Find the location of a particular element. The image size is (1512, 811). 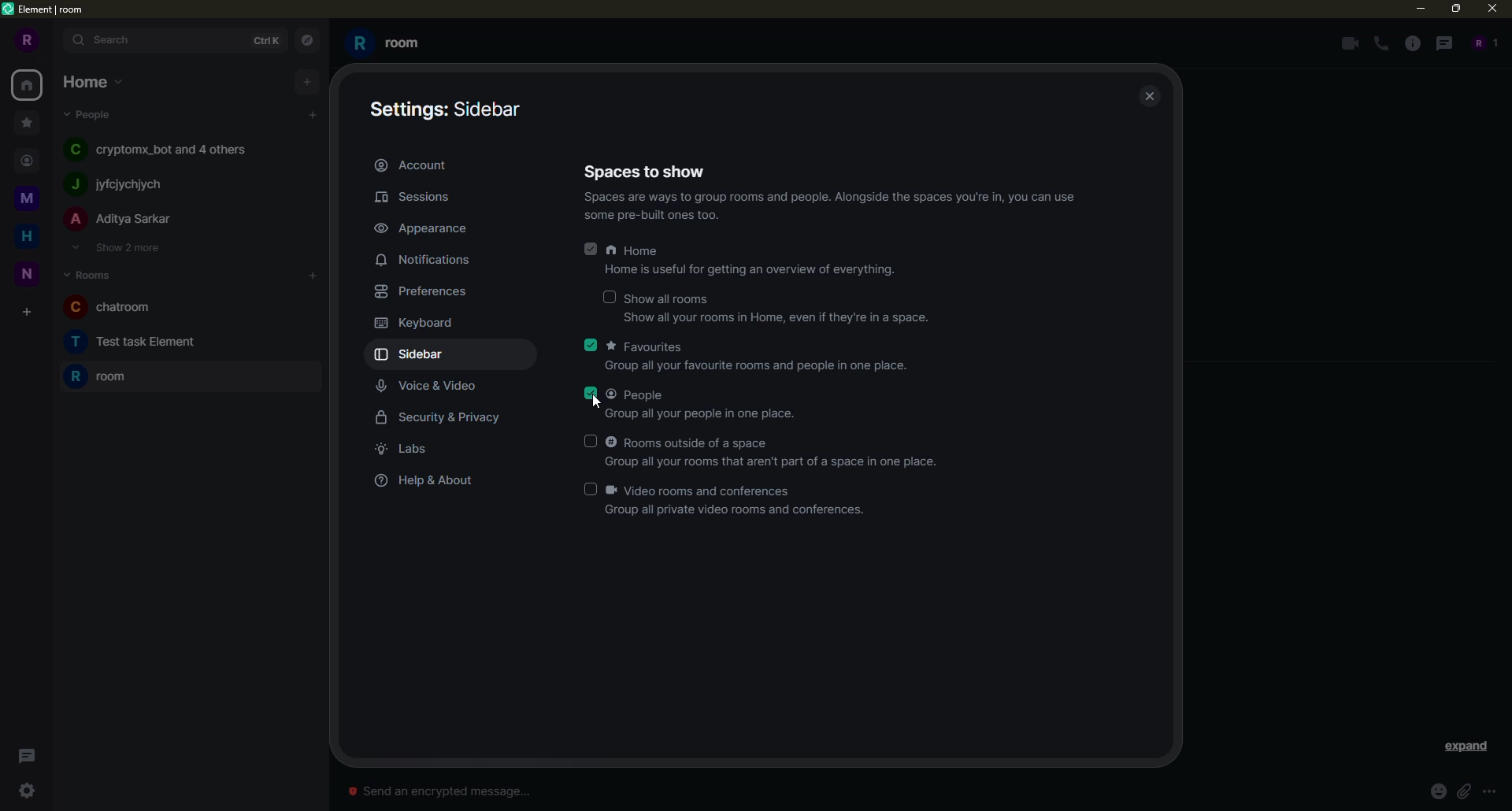

emoji is located at coordinates (1435, 791).